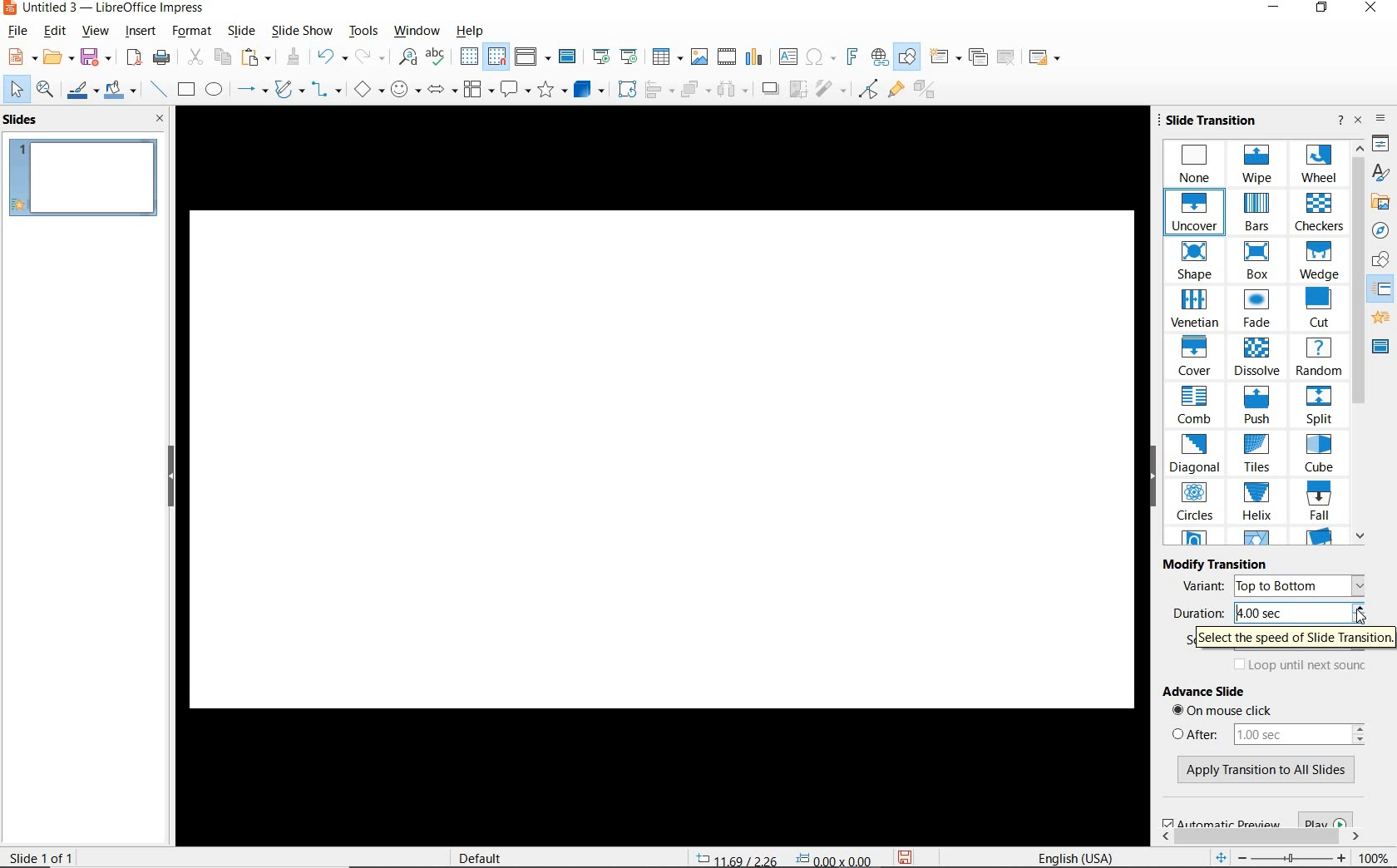  What do you see at coordinates (778, 856) in the screenshot?
I see `POSITION AND SIZE` at bounding box center [778, 856].